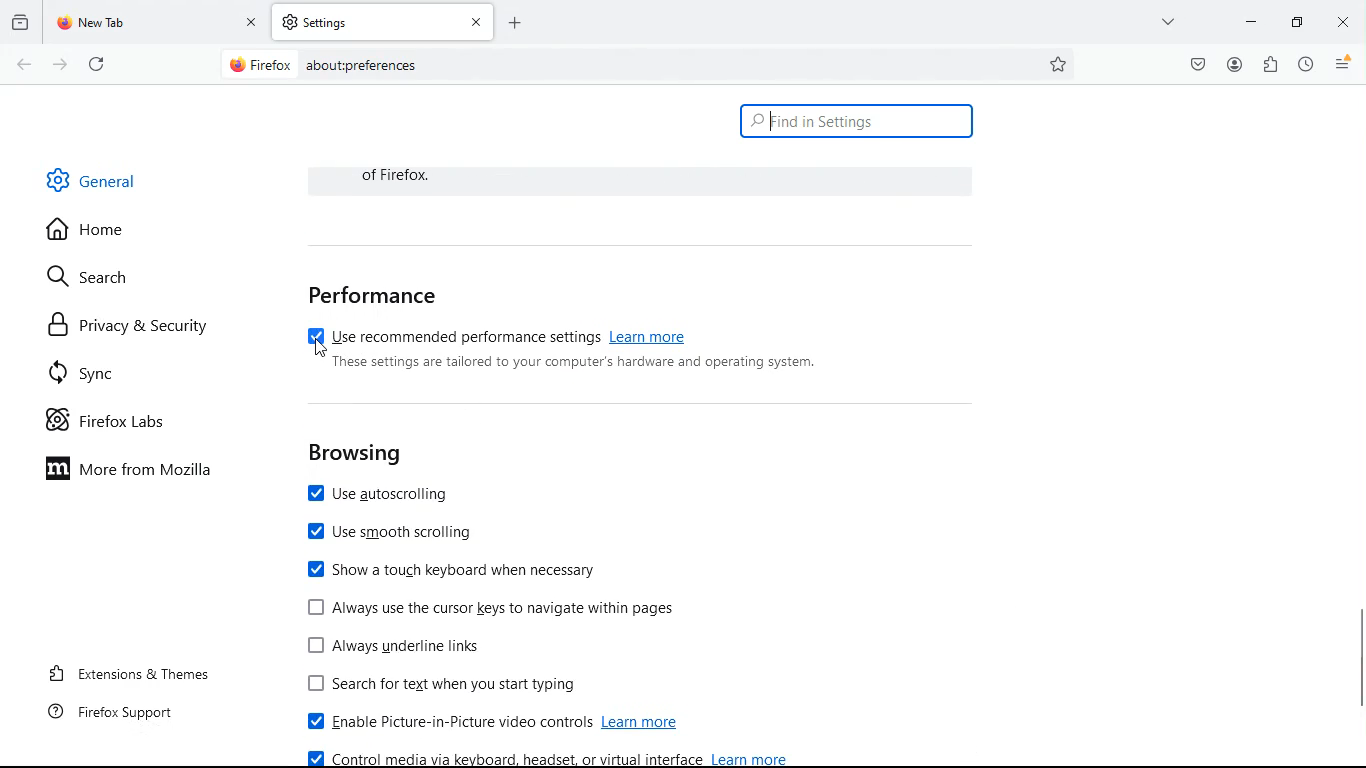 The image size is (1366, 768). I want to click on minimize, so click(1251, 21).